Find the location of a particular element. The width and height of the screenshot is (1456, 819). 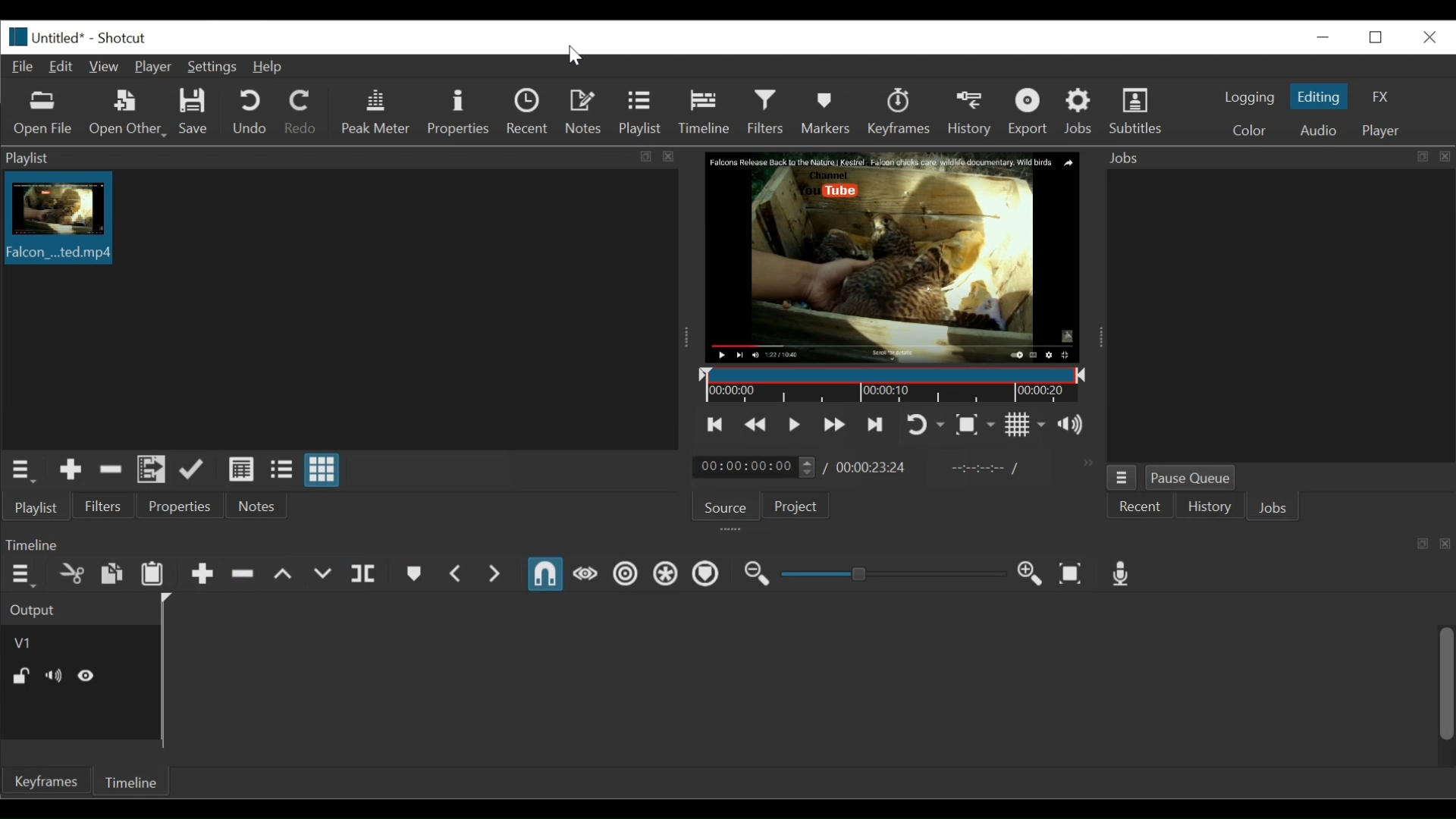

Properties is located at coordinates (184, 508).